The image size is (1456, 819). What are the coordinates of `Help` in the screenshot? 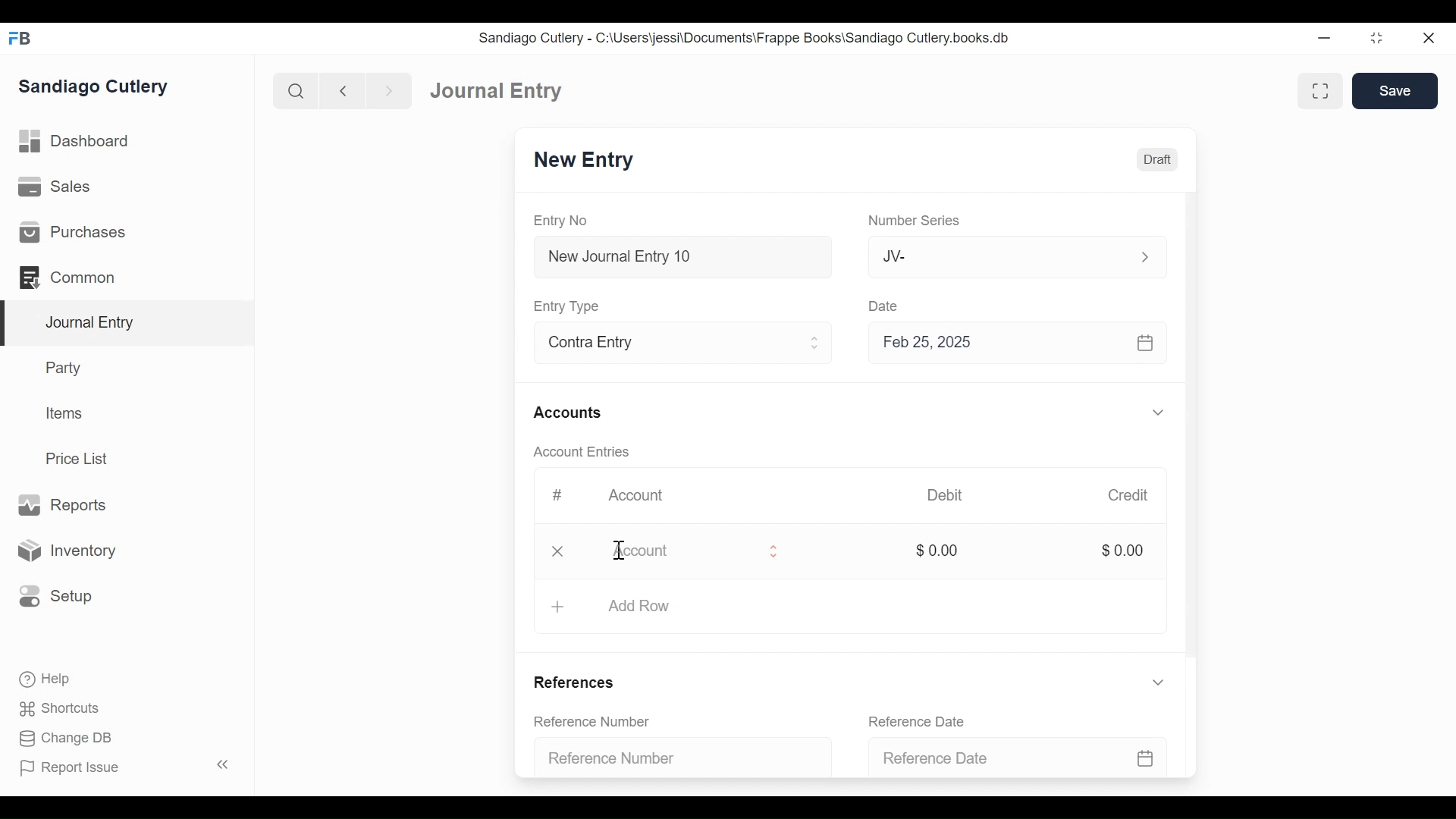 It's located at (42, 677).